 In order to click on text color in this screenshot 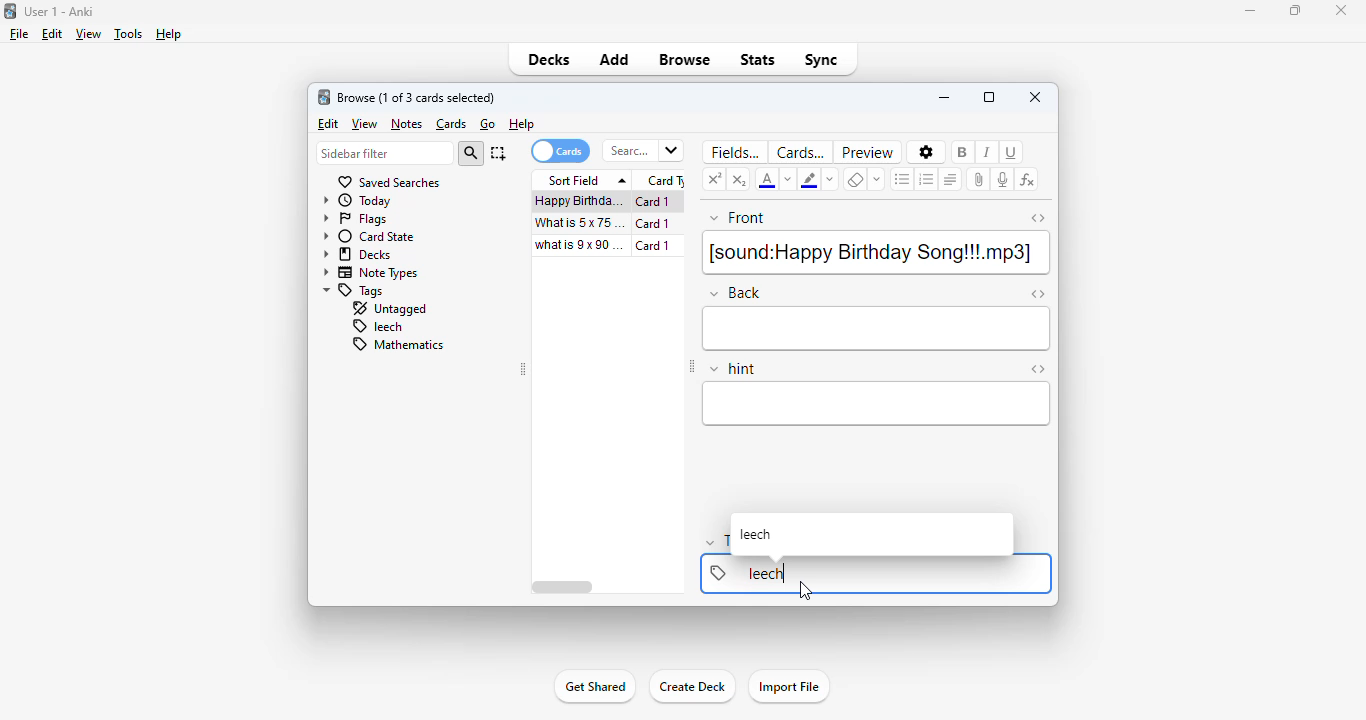, I will do `click(768, 179)`.